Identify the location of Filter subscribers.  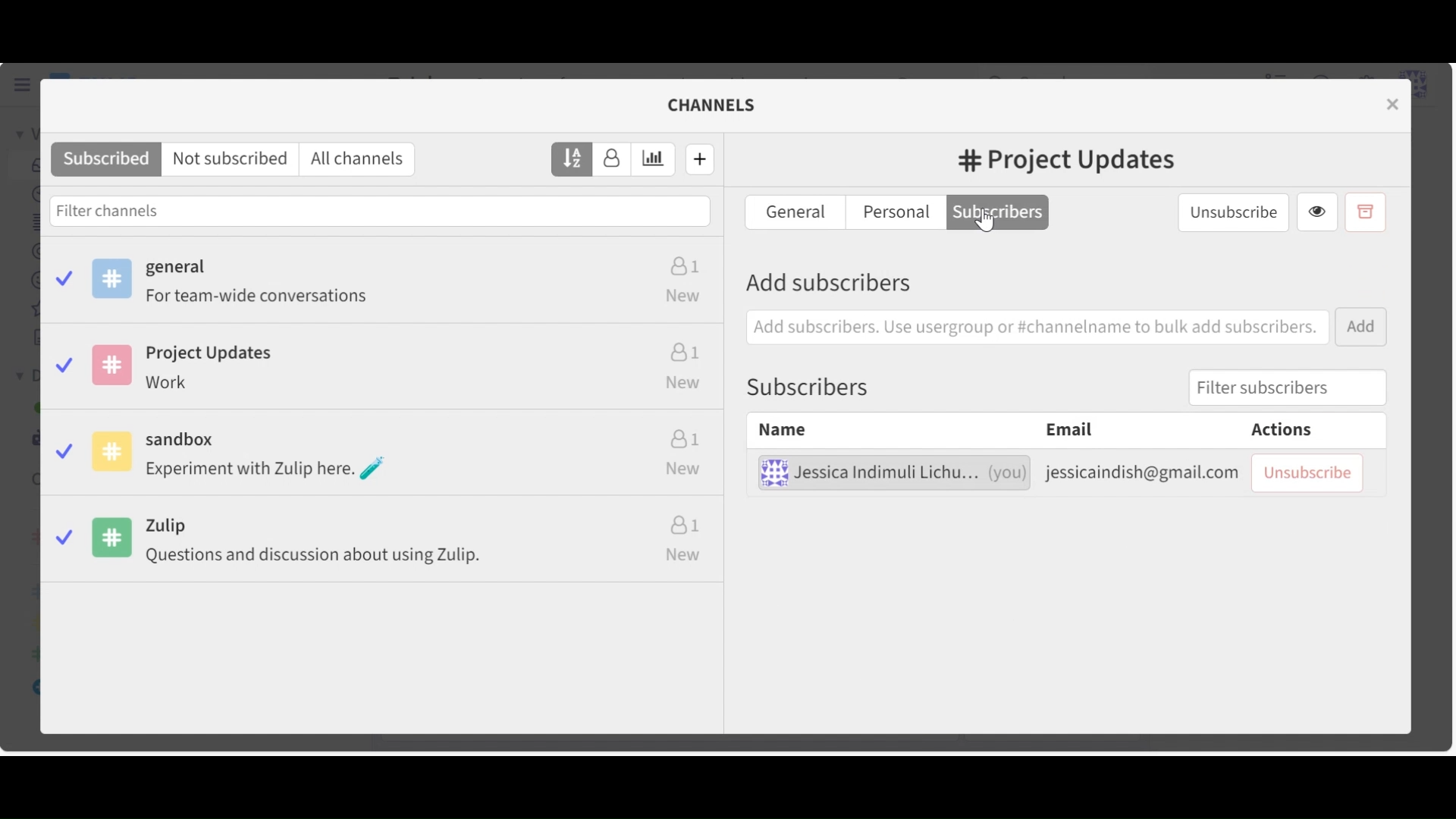
(1282, 388).